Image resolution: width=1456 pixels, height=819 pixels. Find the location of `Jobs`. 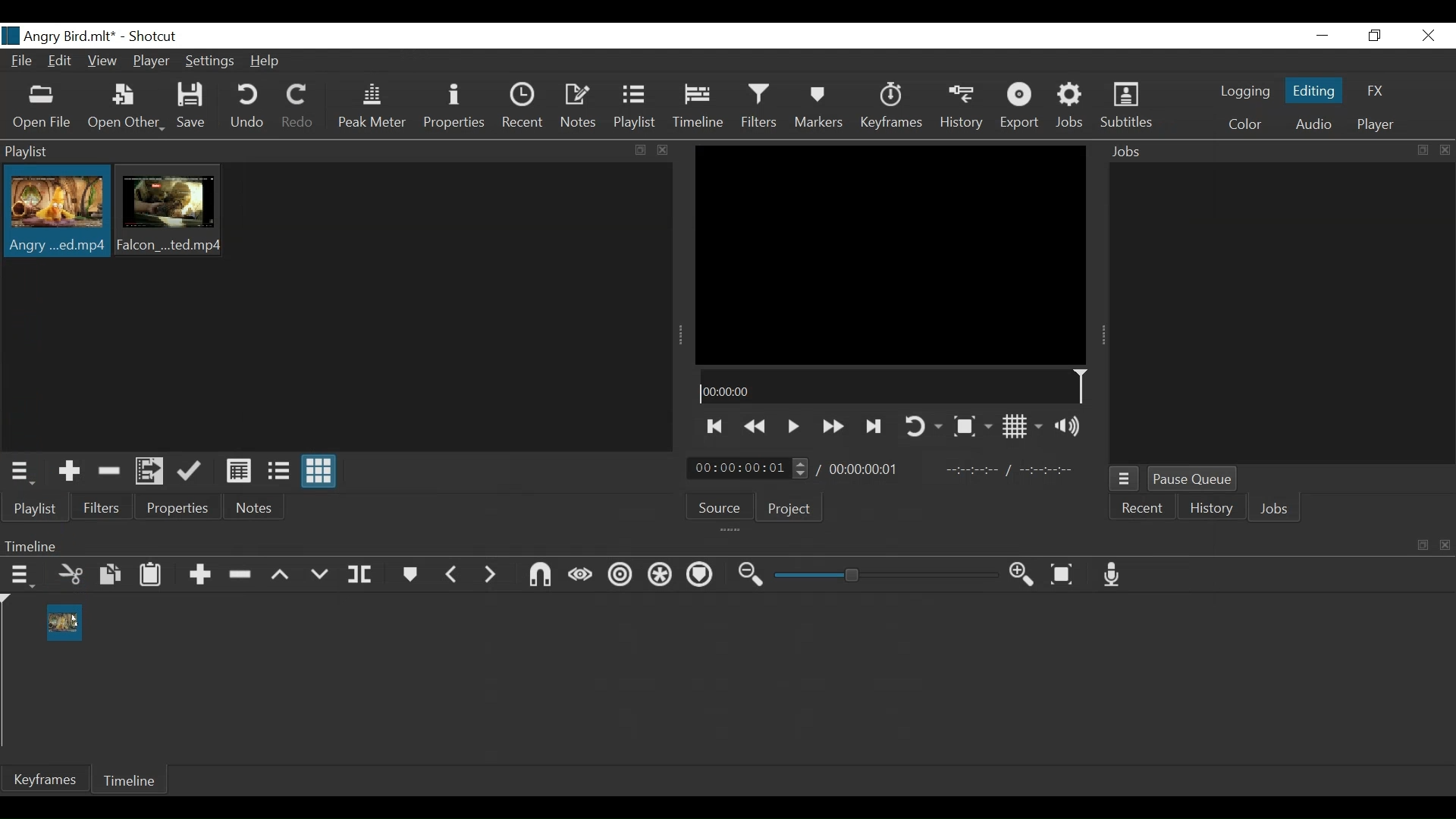

Jobs is located at coordinates (1272, 511).